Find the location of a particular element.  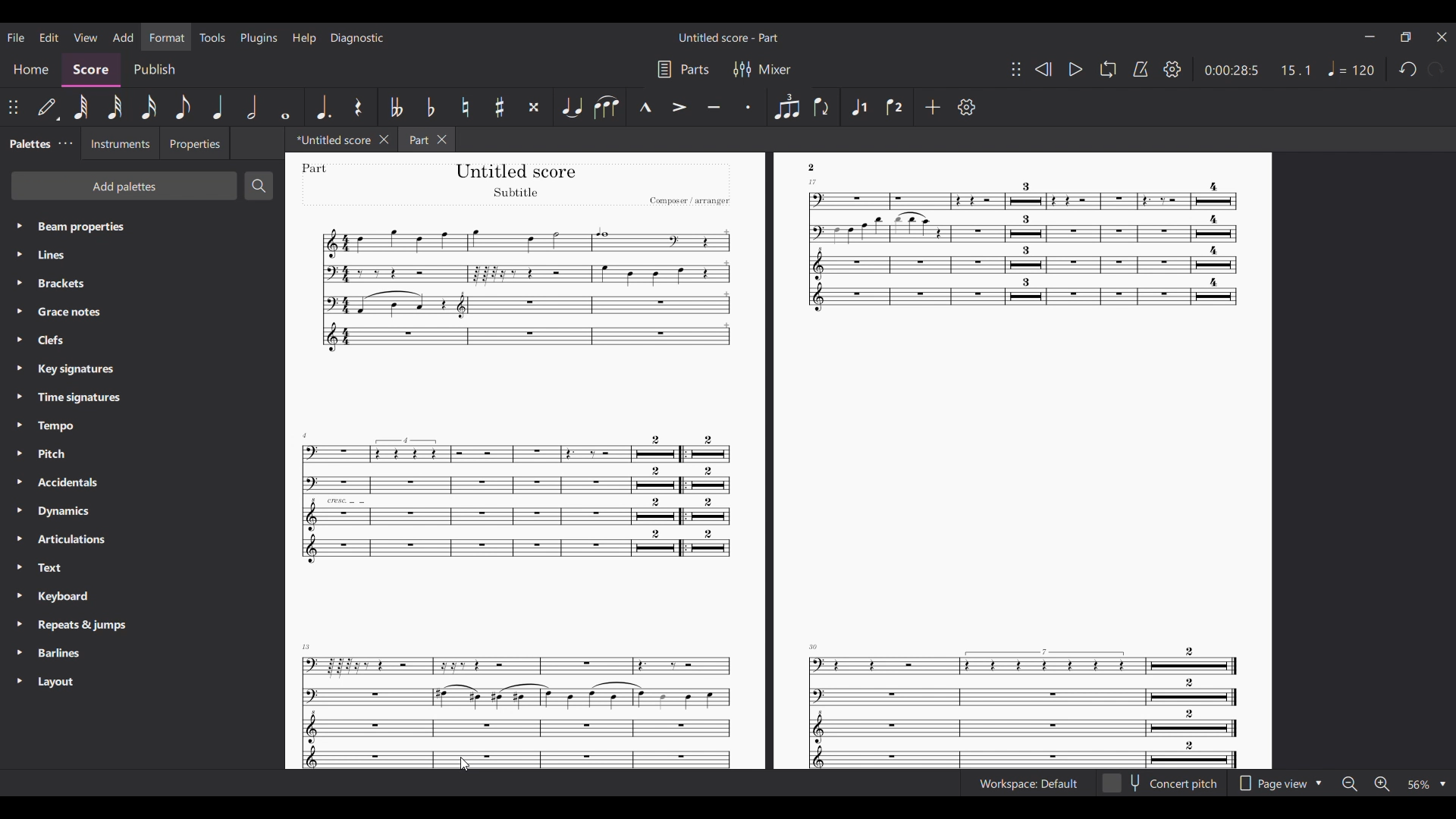

Requests & jumps is located at coordinates (70, 625).